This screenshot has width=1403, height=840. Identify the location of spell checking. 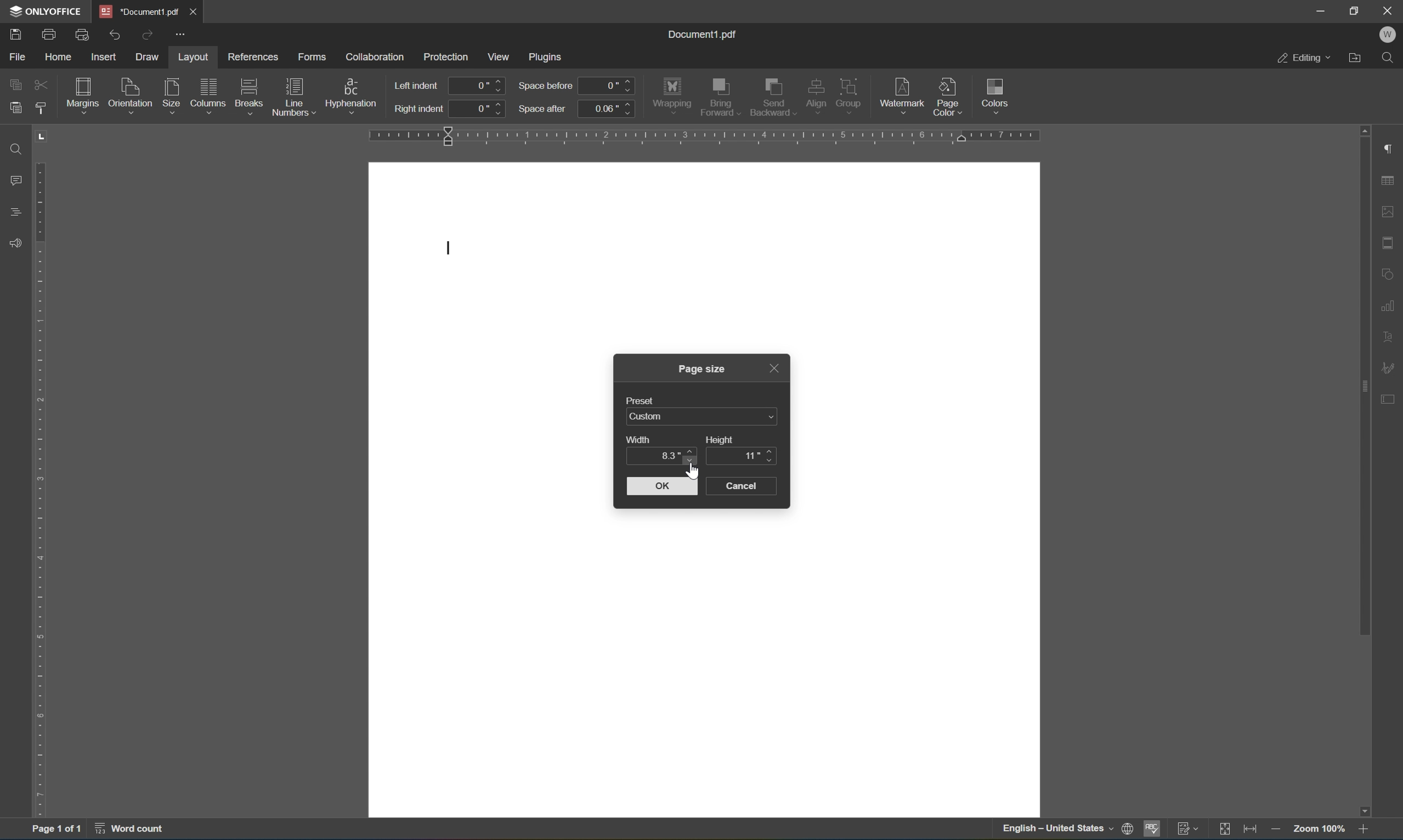
(1152, 830).